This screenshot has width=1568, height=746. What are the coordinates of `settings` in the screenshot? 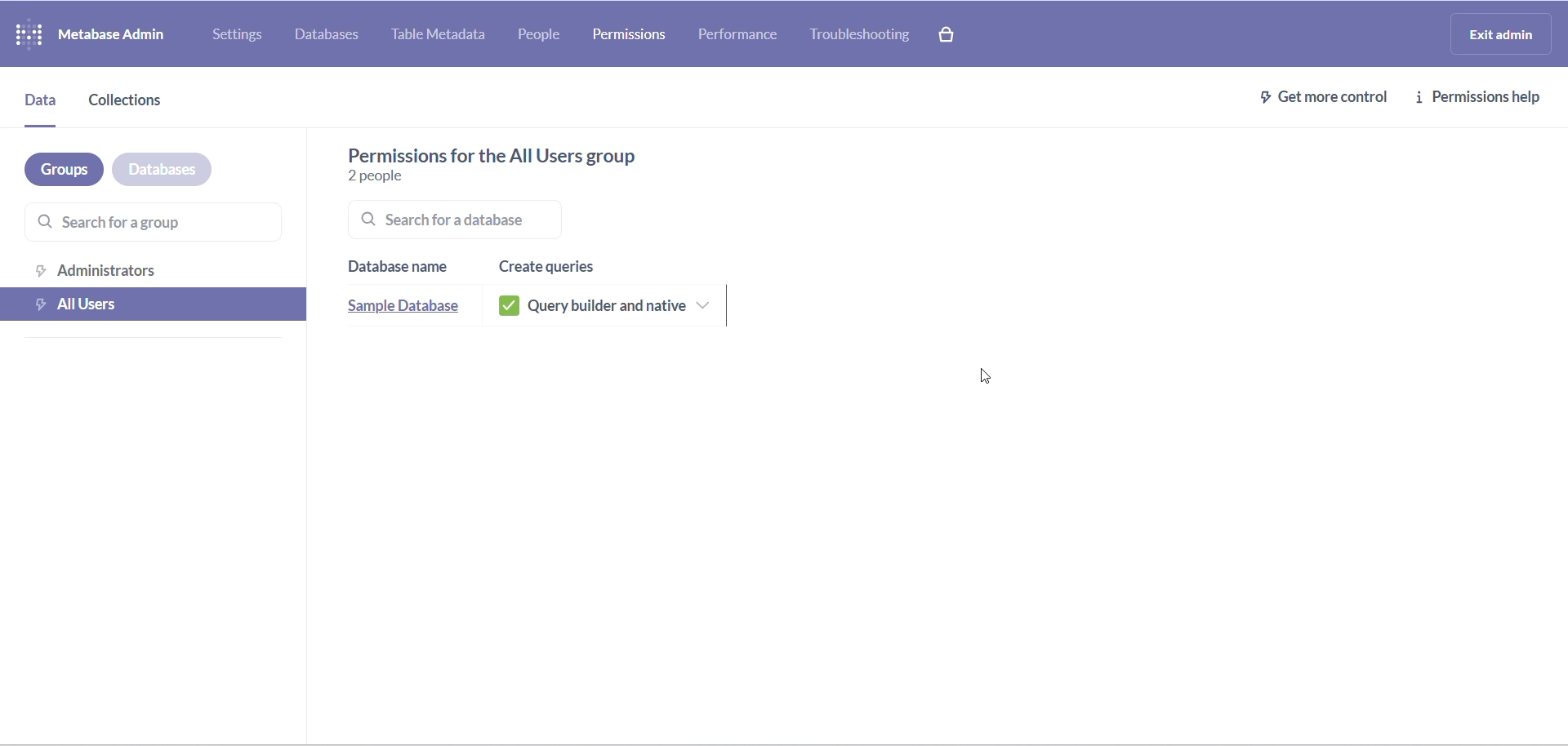 It's located at (239, 34).